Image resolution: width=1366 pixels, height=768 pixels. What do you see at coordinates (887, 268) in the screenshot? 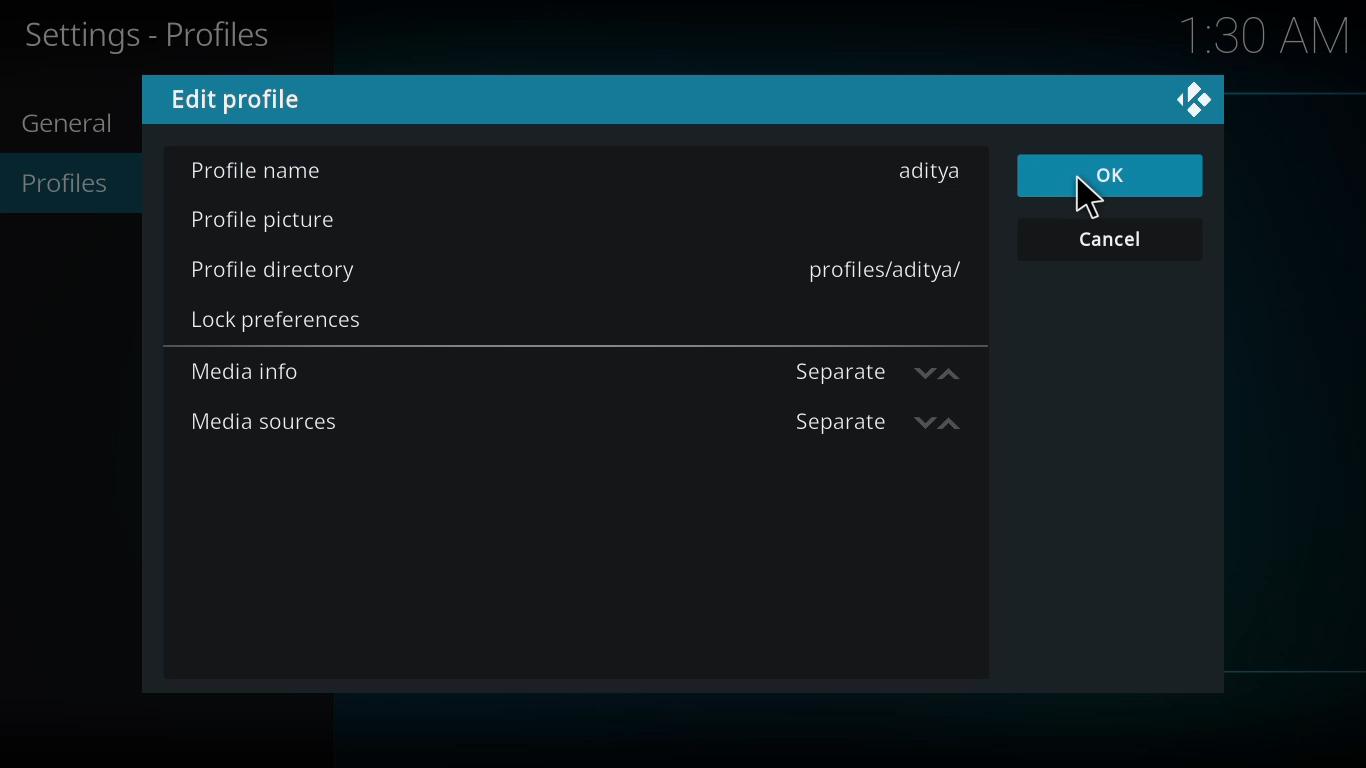
I see `location` at bounding box center [887, 268].